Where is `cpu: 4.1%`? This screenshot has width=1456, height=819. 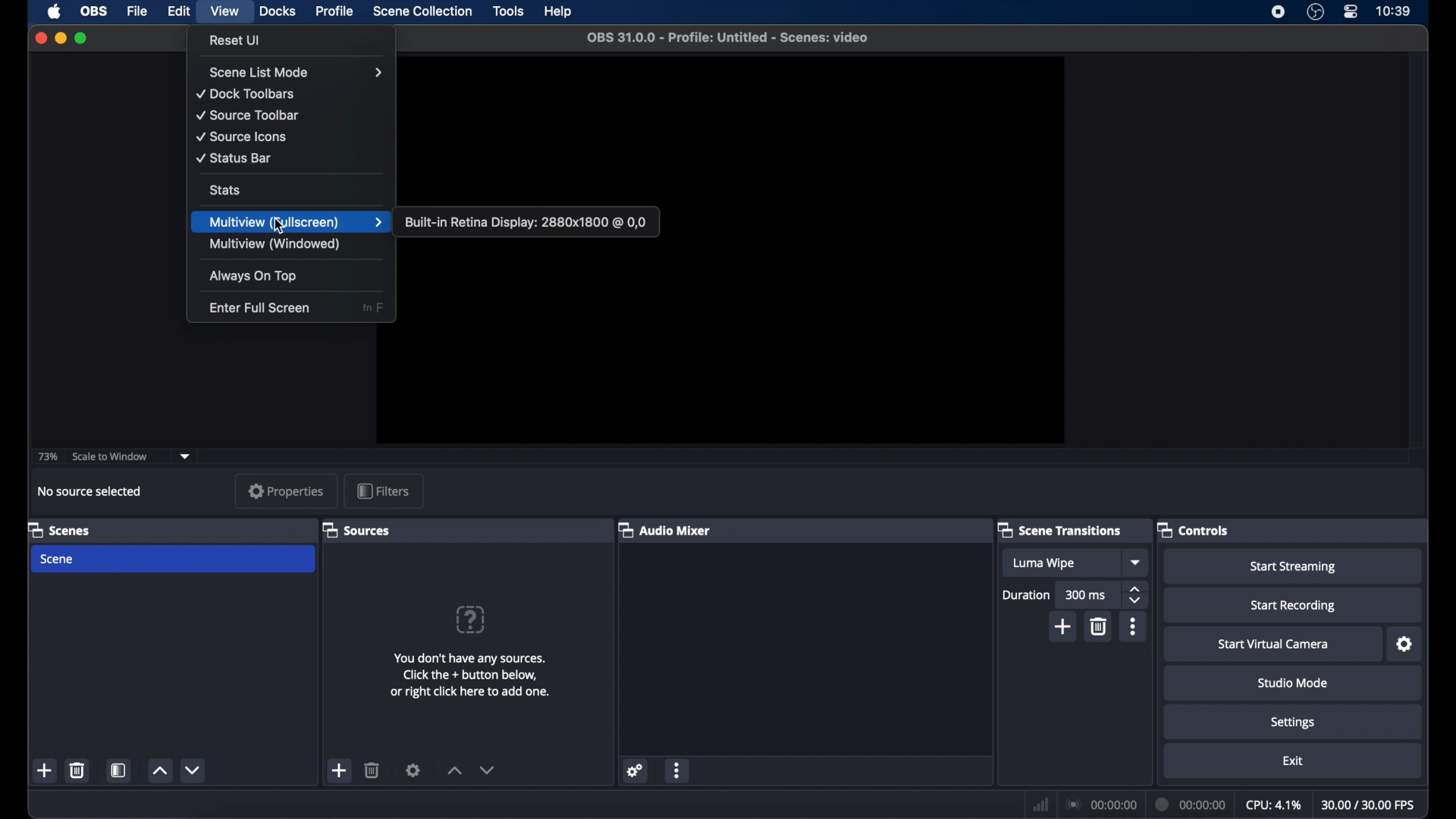
cpu: 4.1% is located at coordinates (1272, 805).